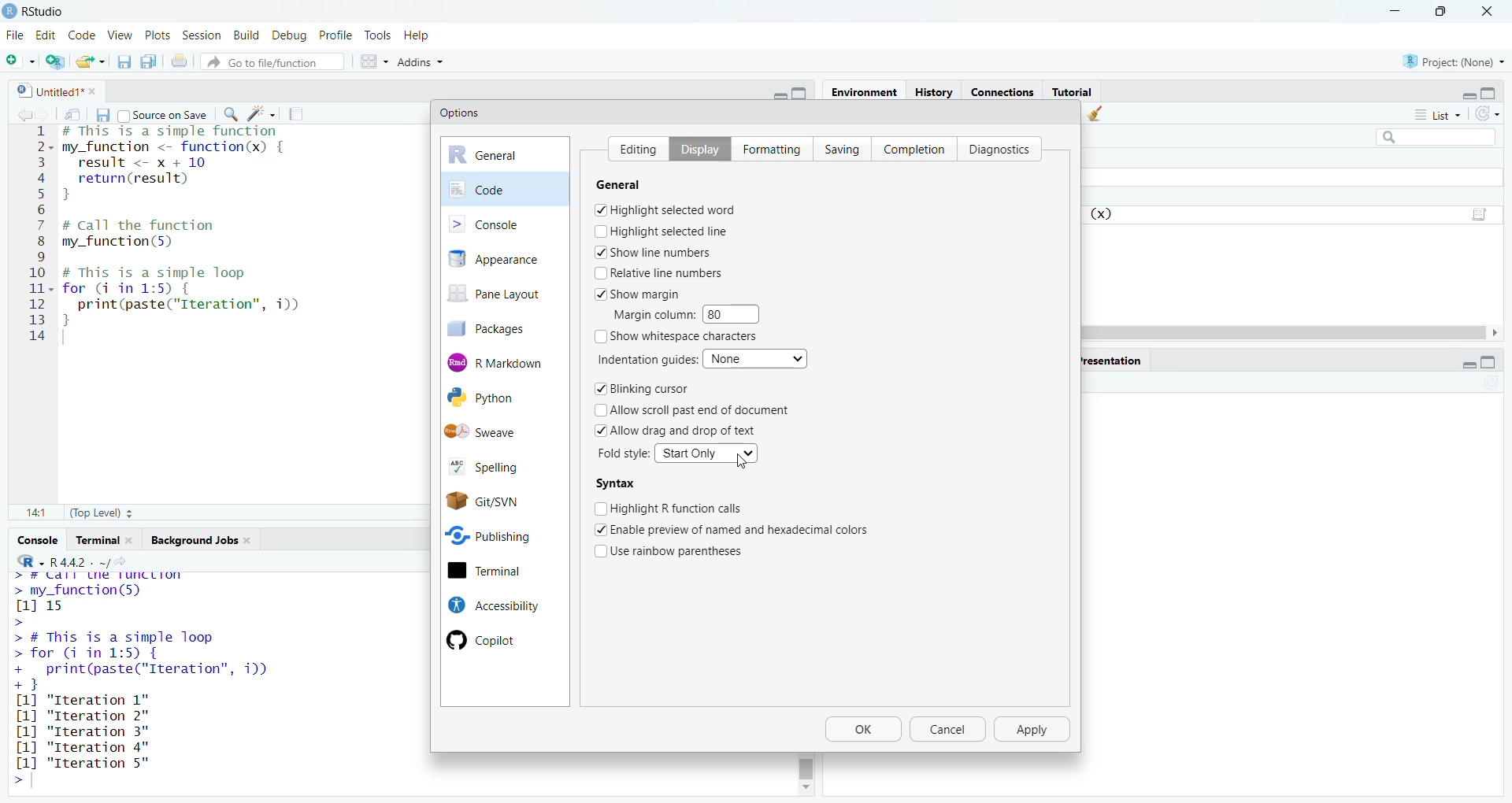  What do you see at coordinates (20, 58) in the screenshot?
I see `new file` at bounding box center [20, 58].